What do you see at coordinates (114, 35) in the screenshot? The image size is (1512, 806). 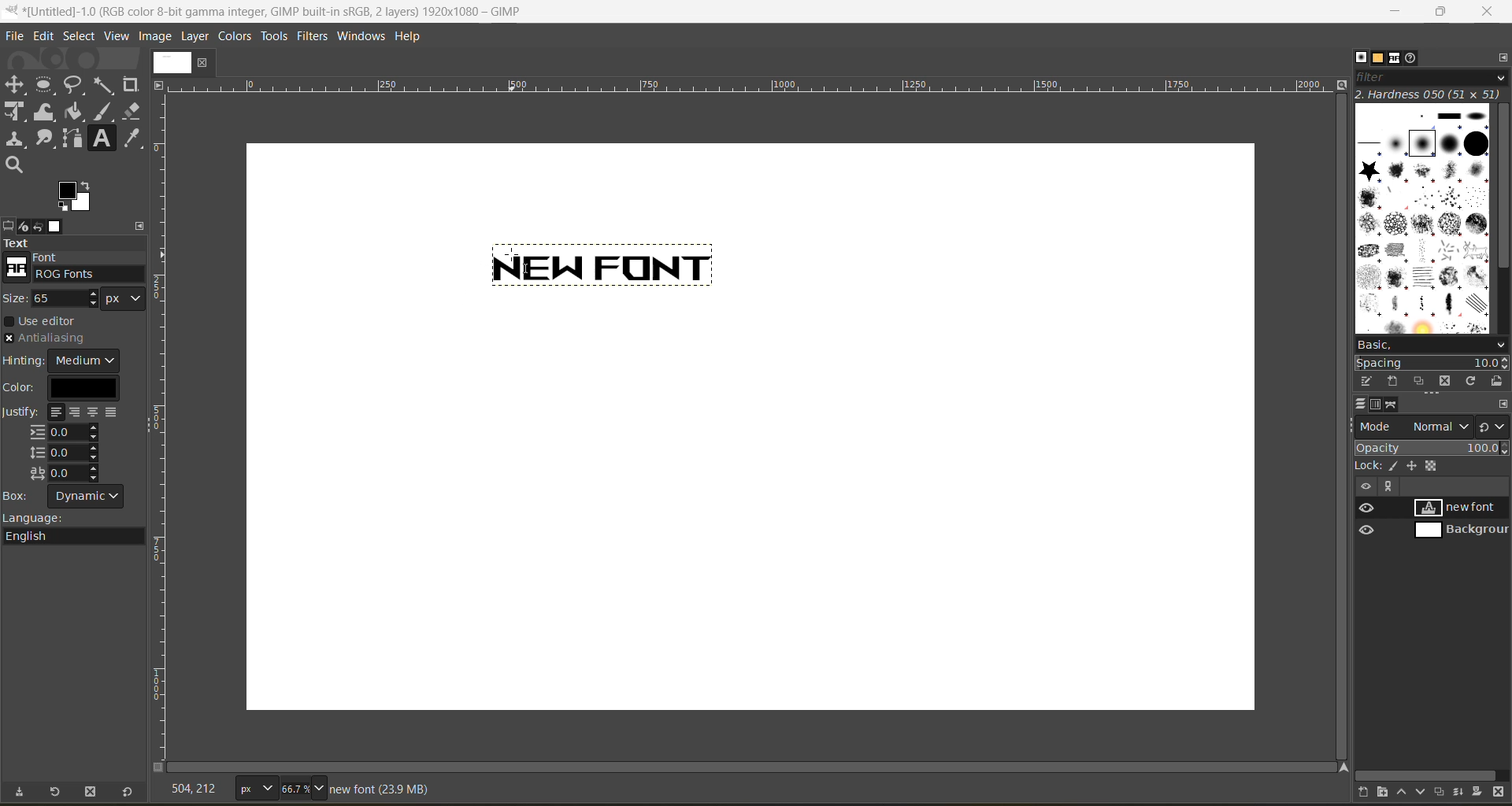 I see `view` at bounding box center [114, 35].